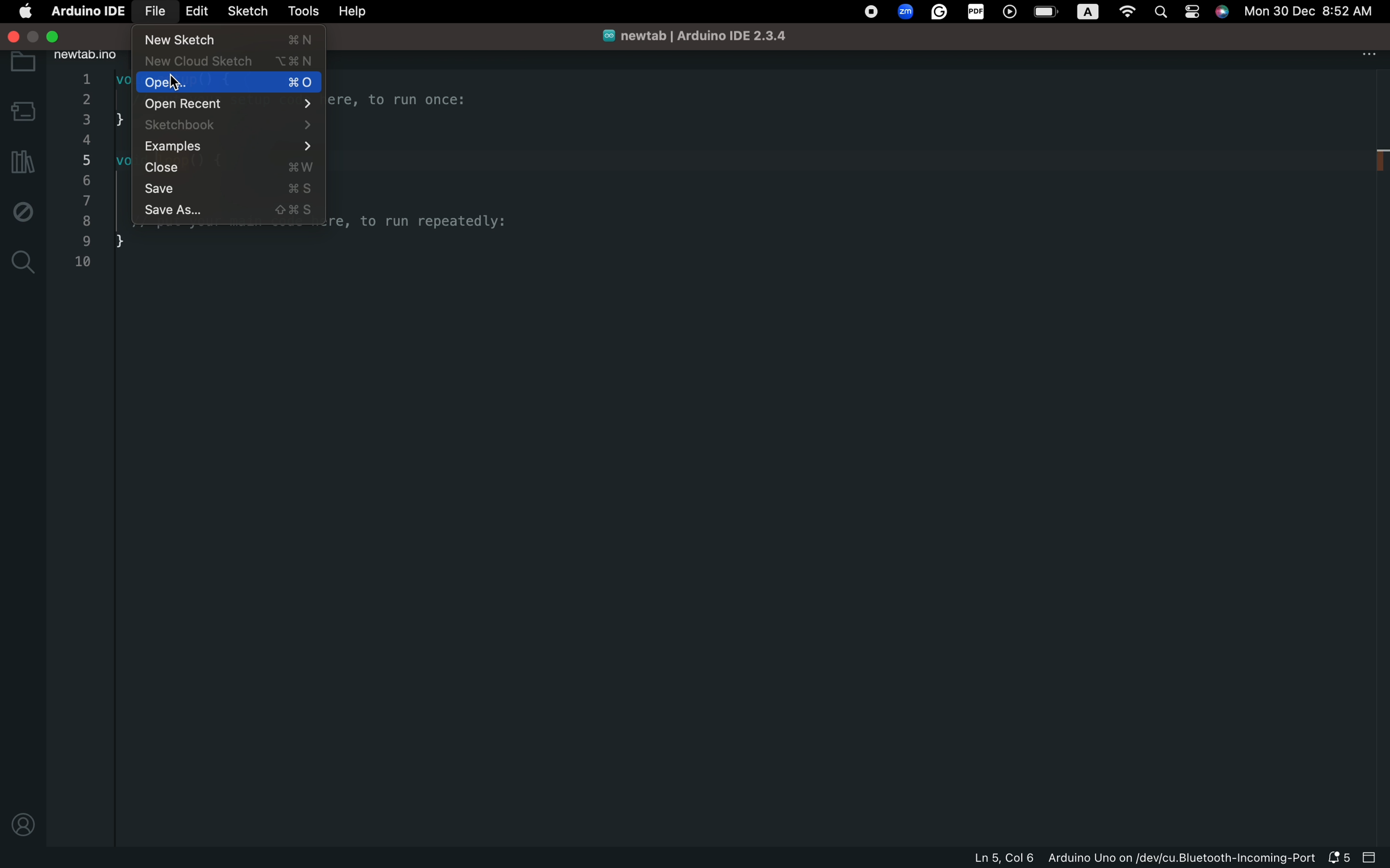 The height and width of the screenshot is (868, 1390). What do you see at coordinates (872, 12) in the screenshot?
I see `record` at bounding box center [872, 12].